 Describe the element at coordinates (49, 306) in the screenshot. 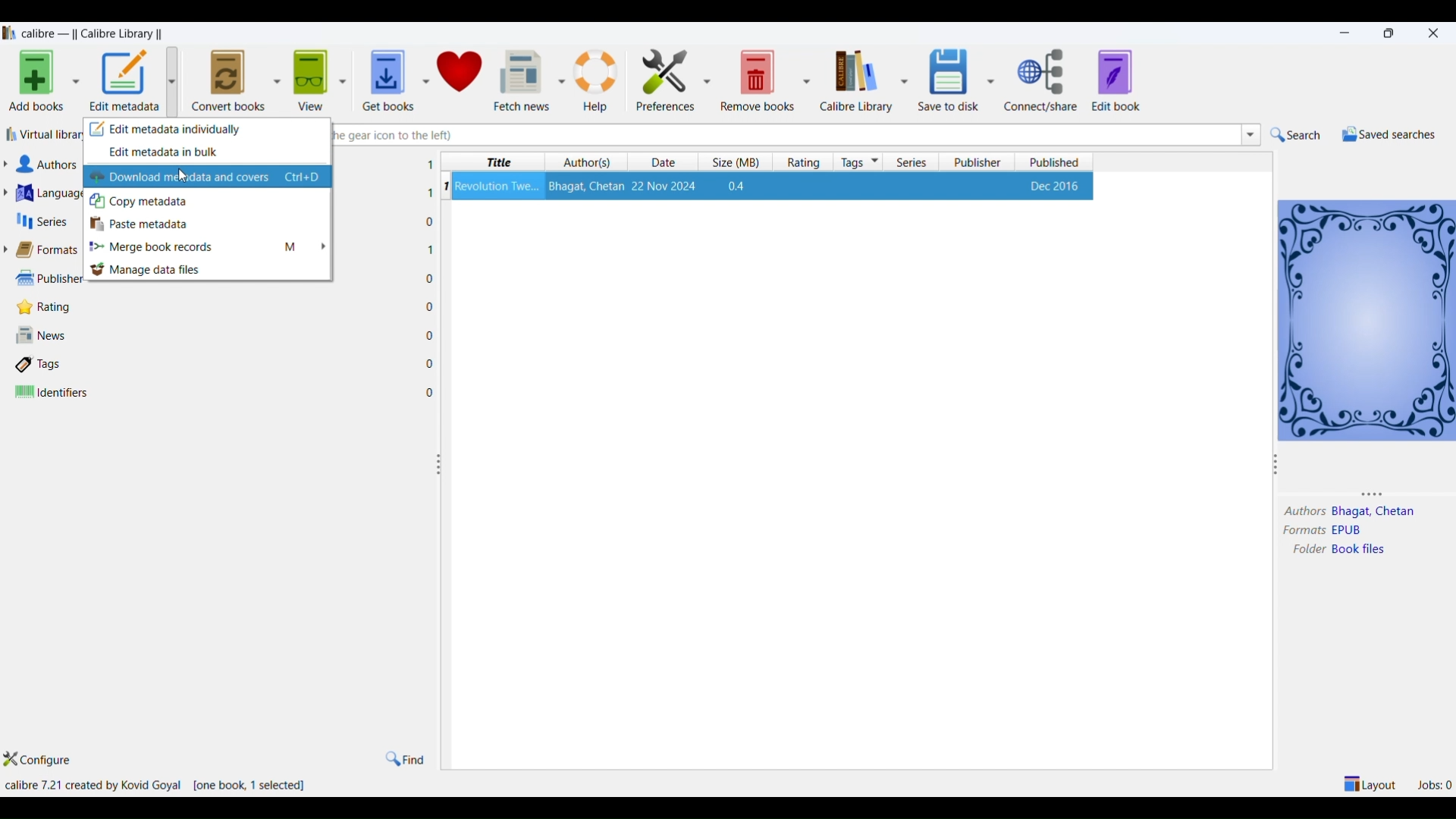

I see `ratings and number of ratings` at that location.